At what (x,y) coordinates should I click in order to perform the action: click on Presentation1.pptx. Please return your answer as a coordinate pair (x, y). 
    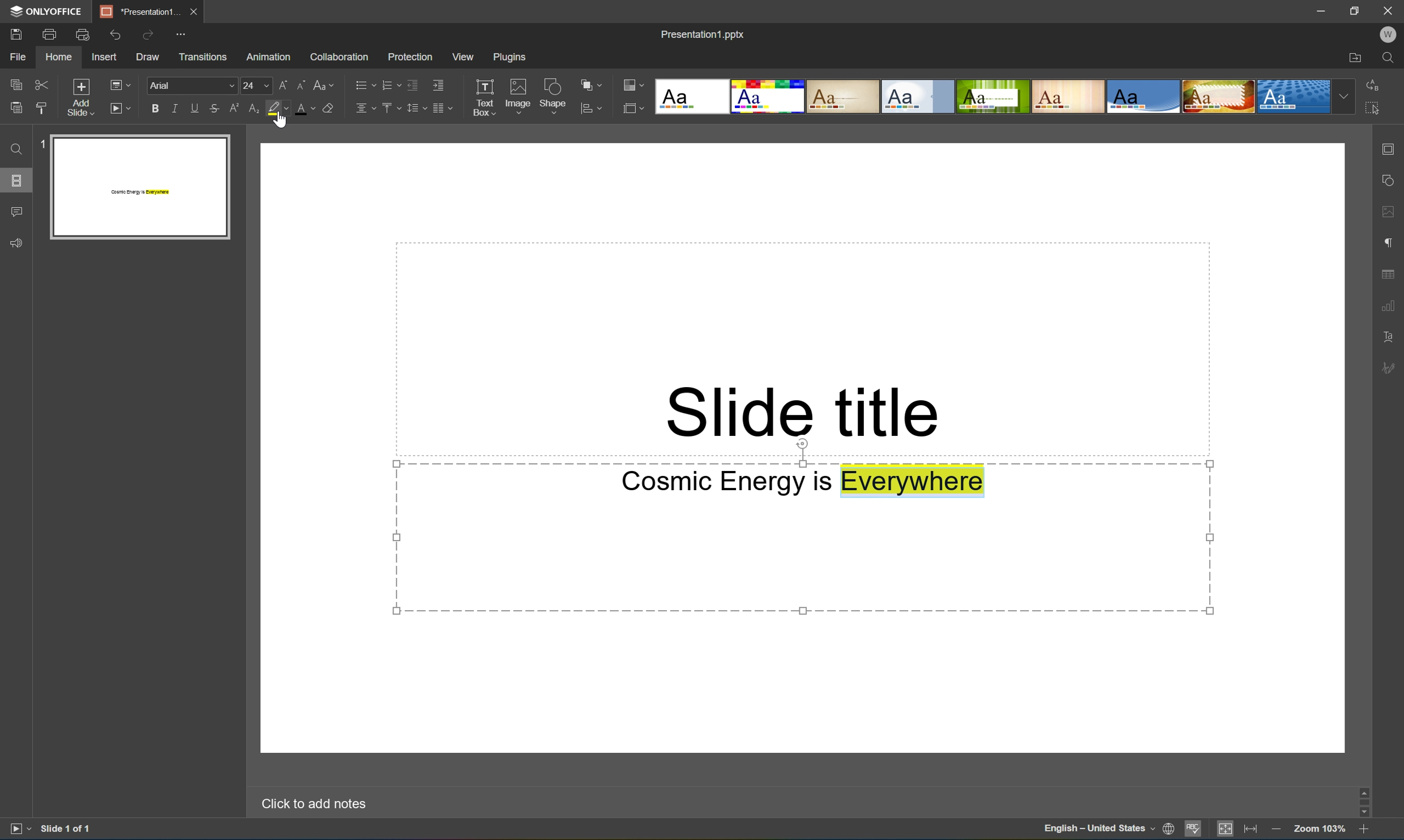
    Looking at the image, I should click on (705, 33).